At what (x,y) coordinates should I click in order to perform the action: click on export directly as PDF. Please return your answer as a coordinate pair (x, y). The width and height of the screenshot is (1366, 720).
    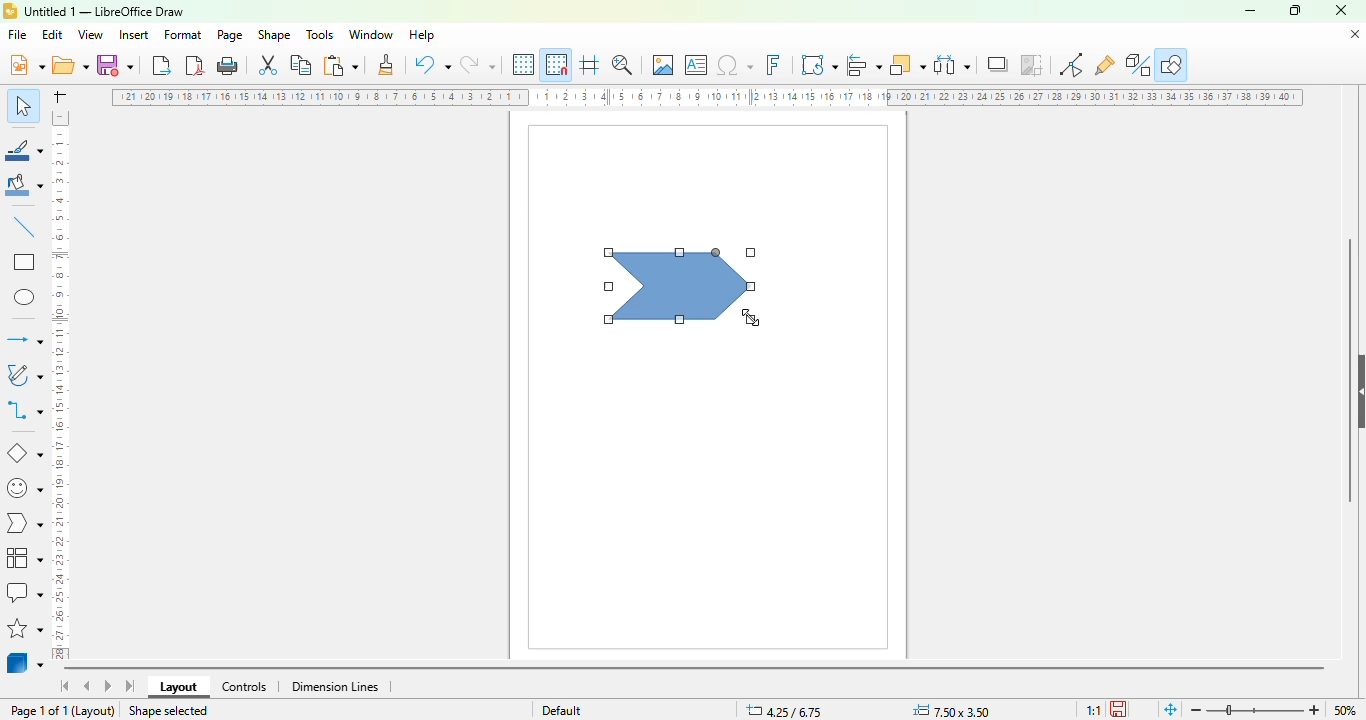
    Looking at the image, I should click on (195, 65).